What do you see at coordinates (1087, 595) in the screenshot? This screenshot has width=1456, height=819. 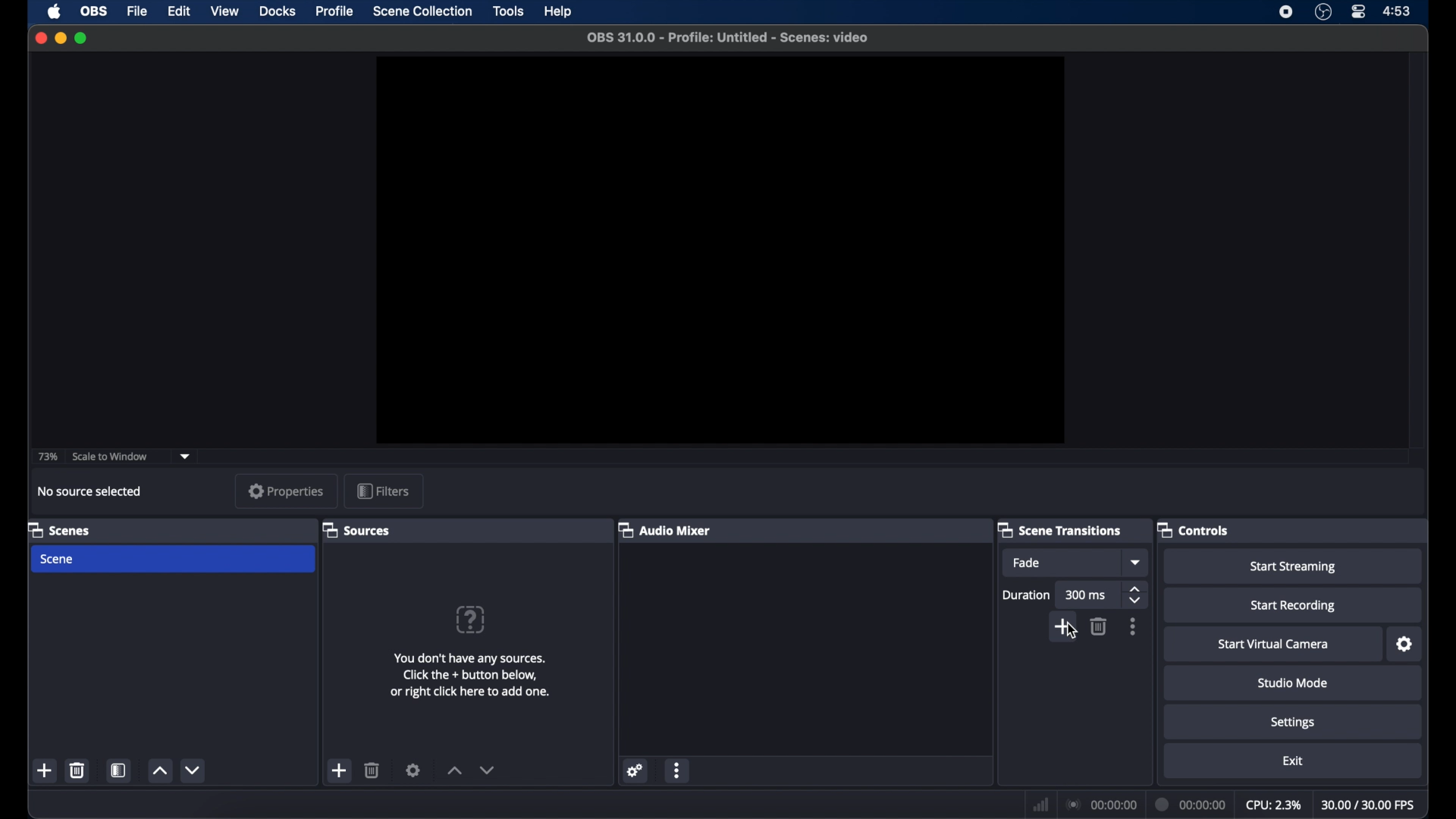 I see `300 ms` at bounding box center [1087, 595].